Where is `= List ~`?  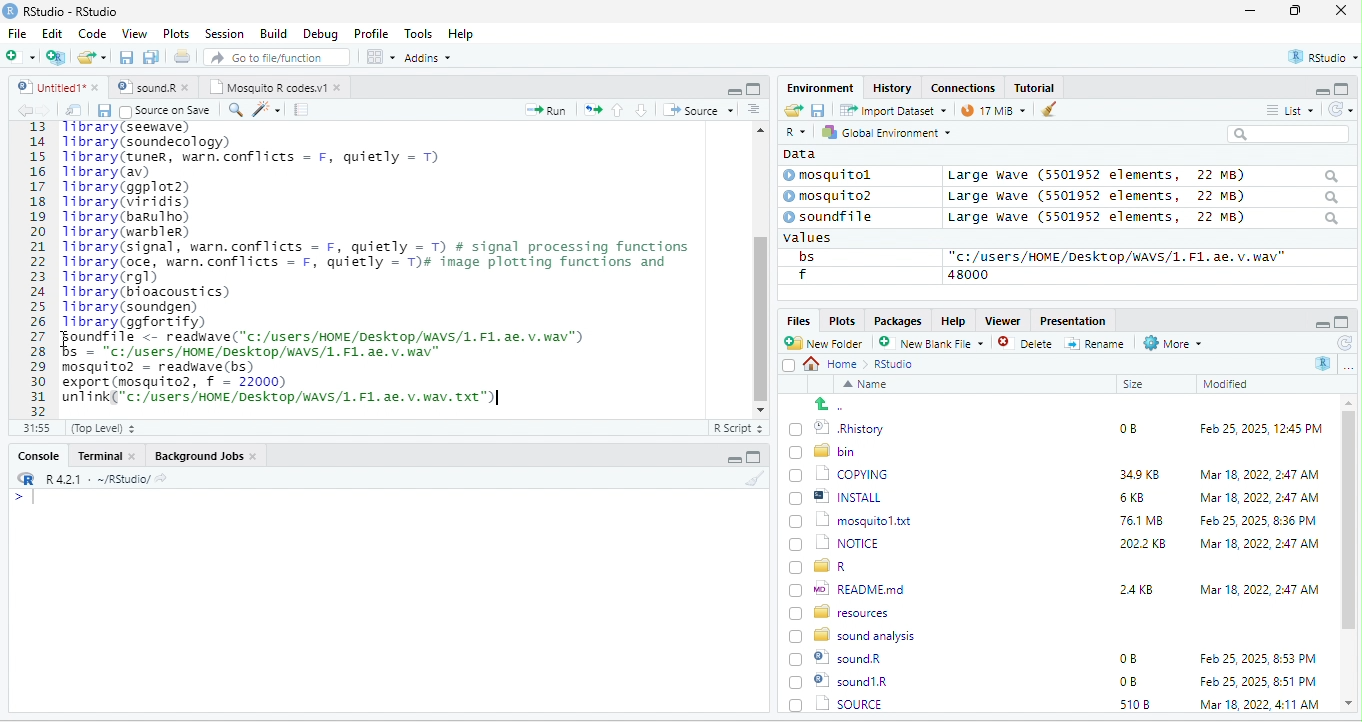
= List ~ is located at coordinates (1286, 110).